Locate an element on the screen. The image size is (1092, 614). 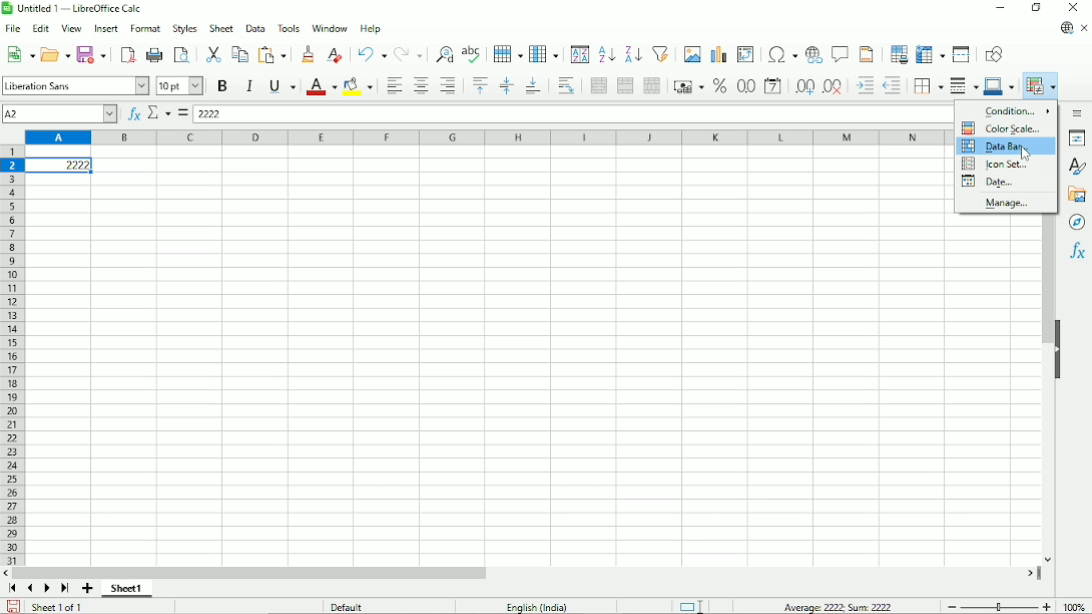
Align bottom is located at coordinates (533, 86).